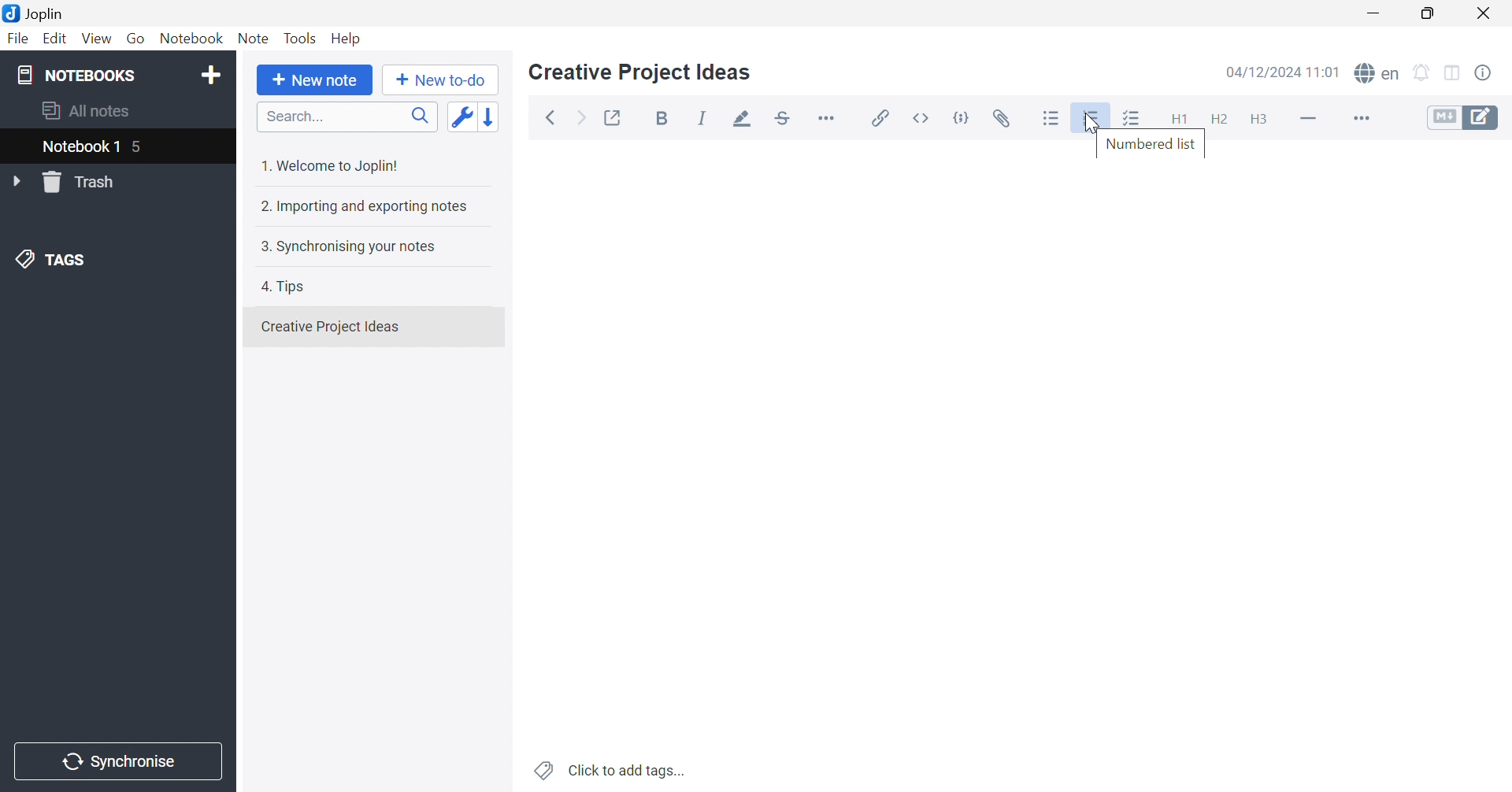 This screenshot has height=792, width=1512. What do you see at coordinates (1178, 120) in the screenshot?
I see `Heading 1` at bounding box center [1178, 120].